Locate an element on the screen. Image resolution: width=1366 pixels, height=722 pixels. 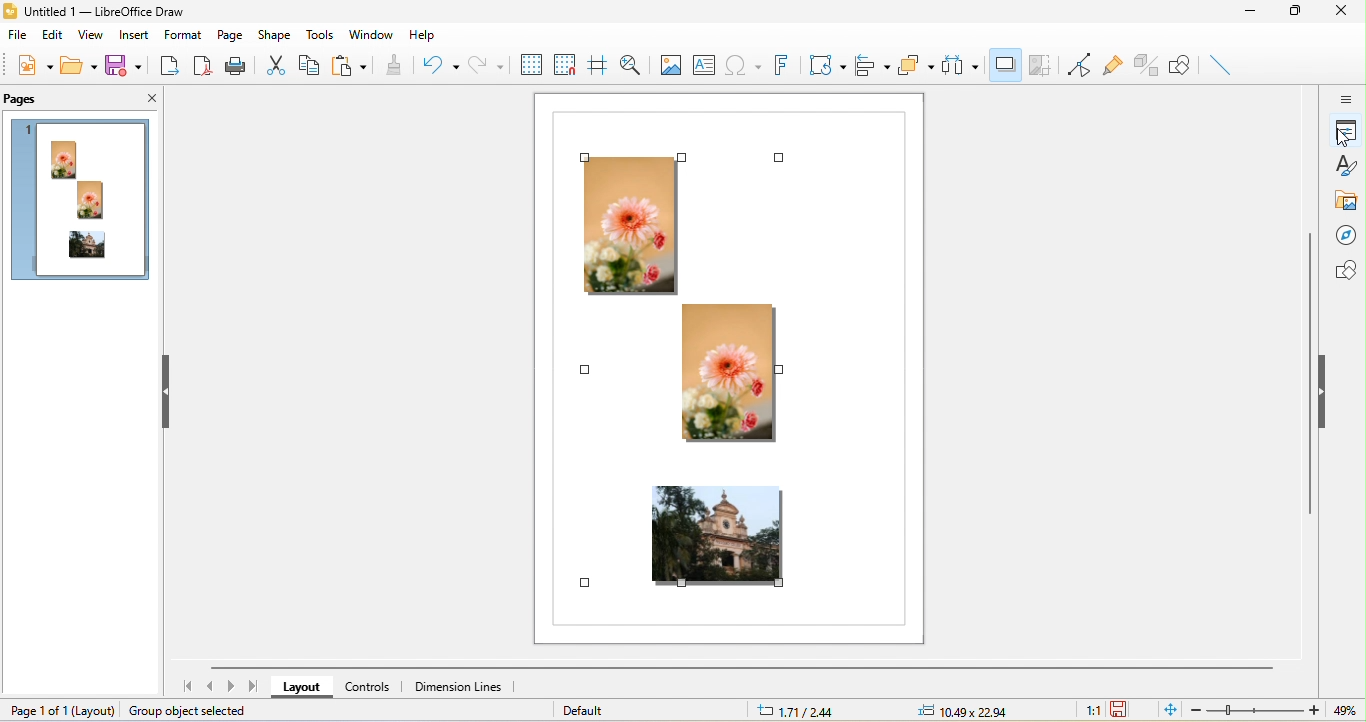
tools is located at coordinates (320, 35).